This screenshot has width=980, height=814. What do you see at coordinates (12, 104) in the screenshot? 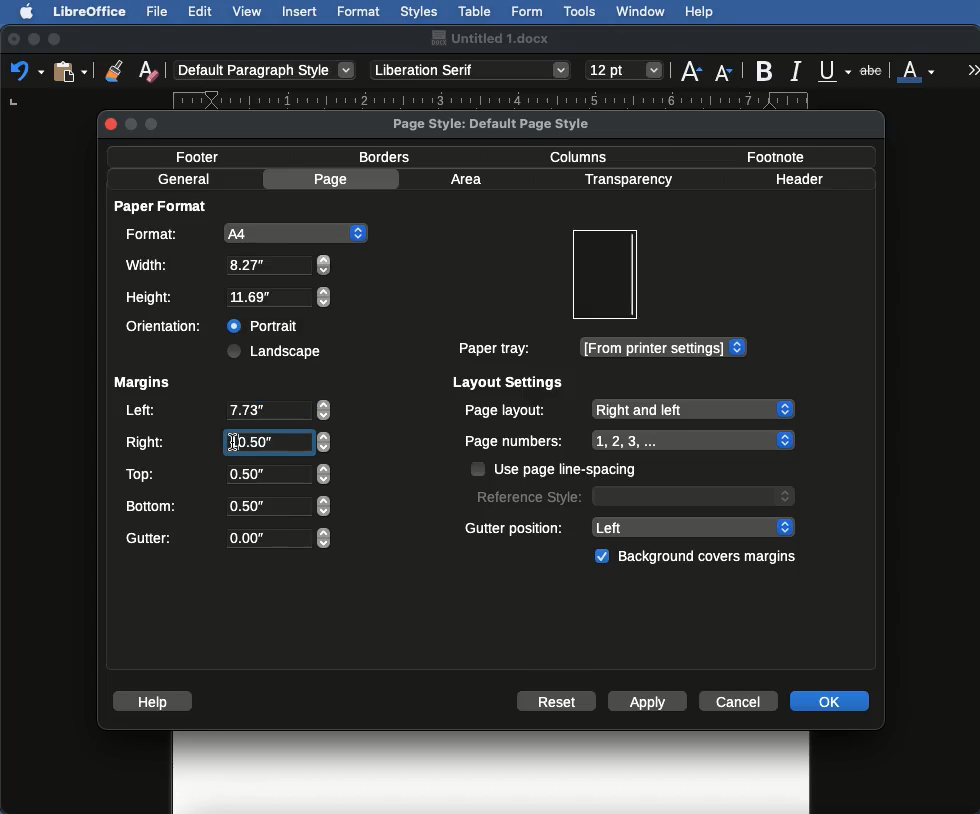
I see `left tab` at bounding box center [12, 104].